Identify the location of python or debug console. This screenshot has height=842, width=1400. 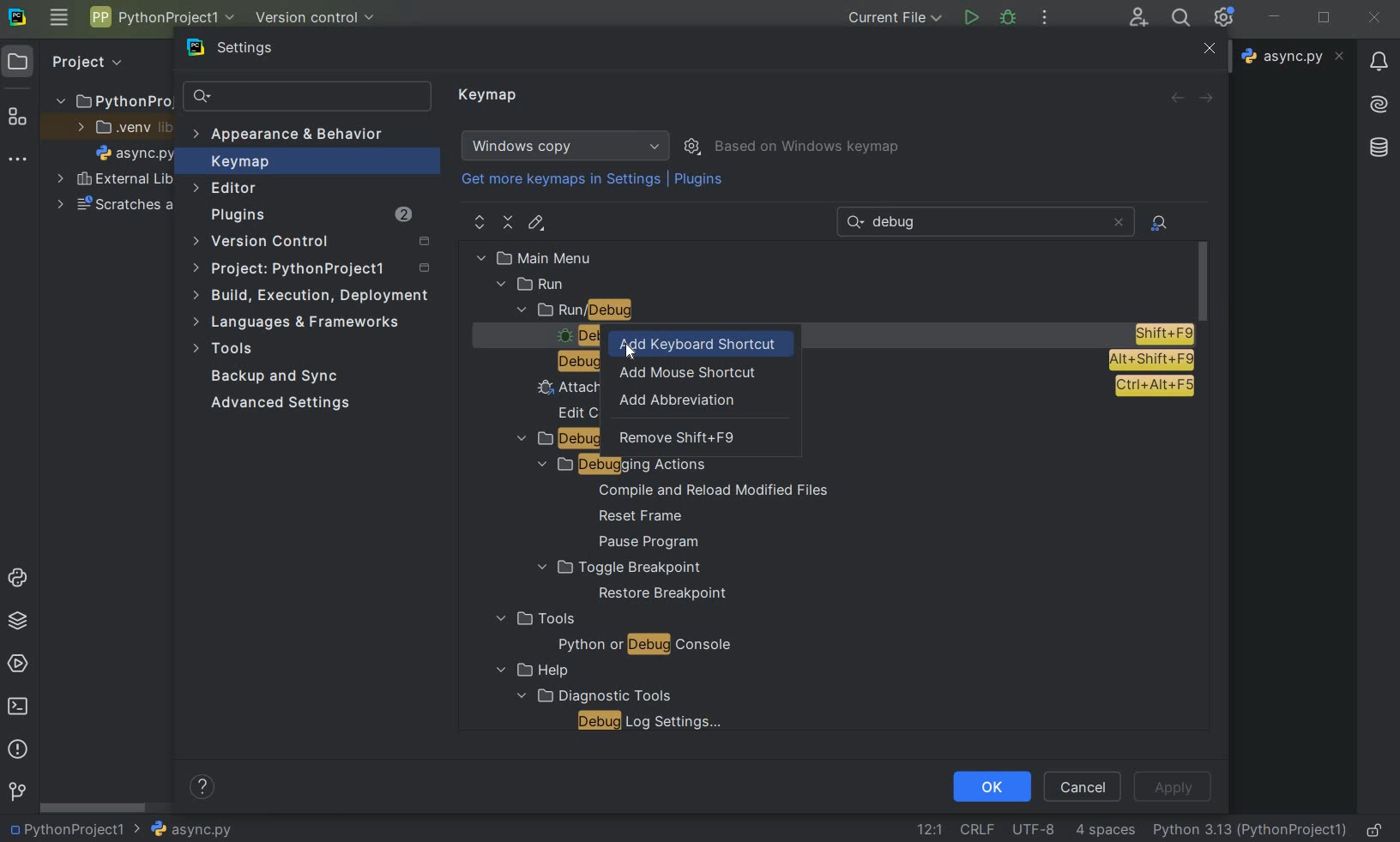
(644, 647).